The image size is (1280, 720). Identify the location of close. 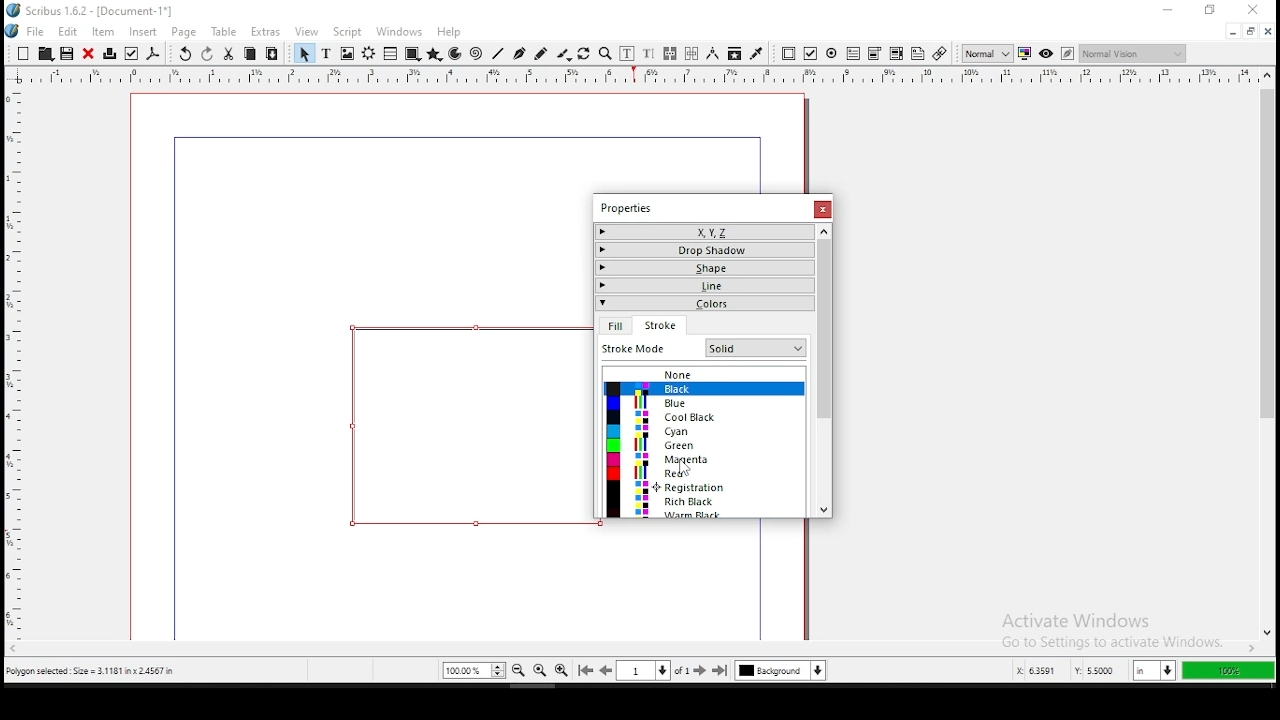
(1255, 10).